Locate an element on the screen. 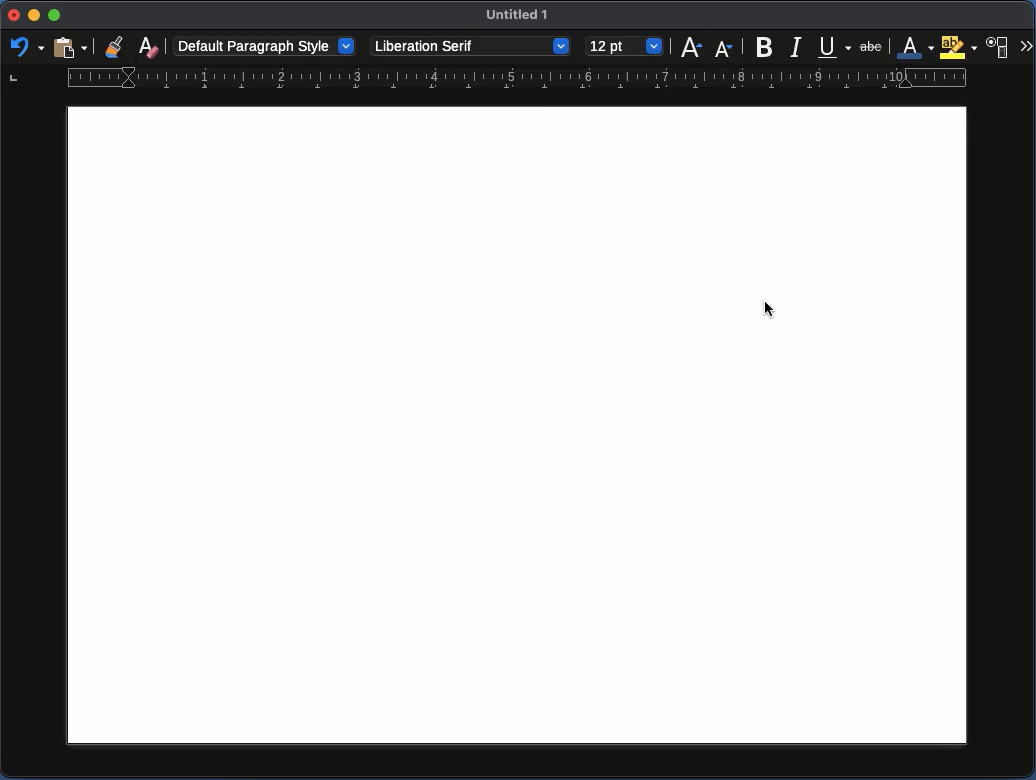 The width and height of the screenshot is (1036, 780). Size is located at coordinates (624, 47).